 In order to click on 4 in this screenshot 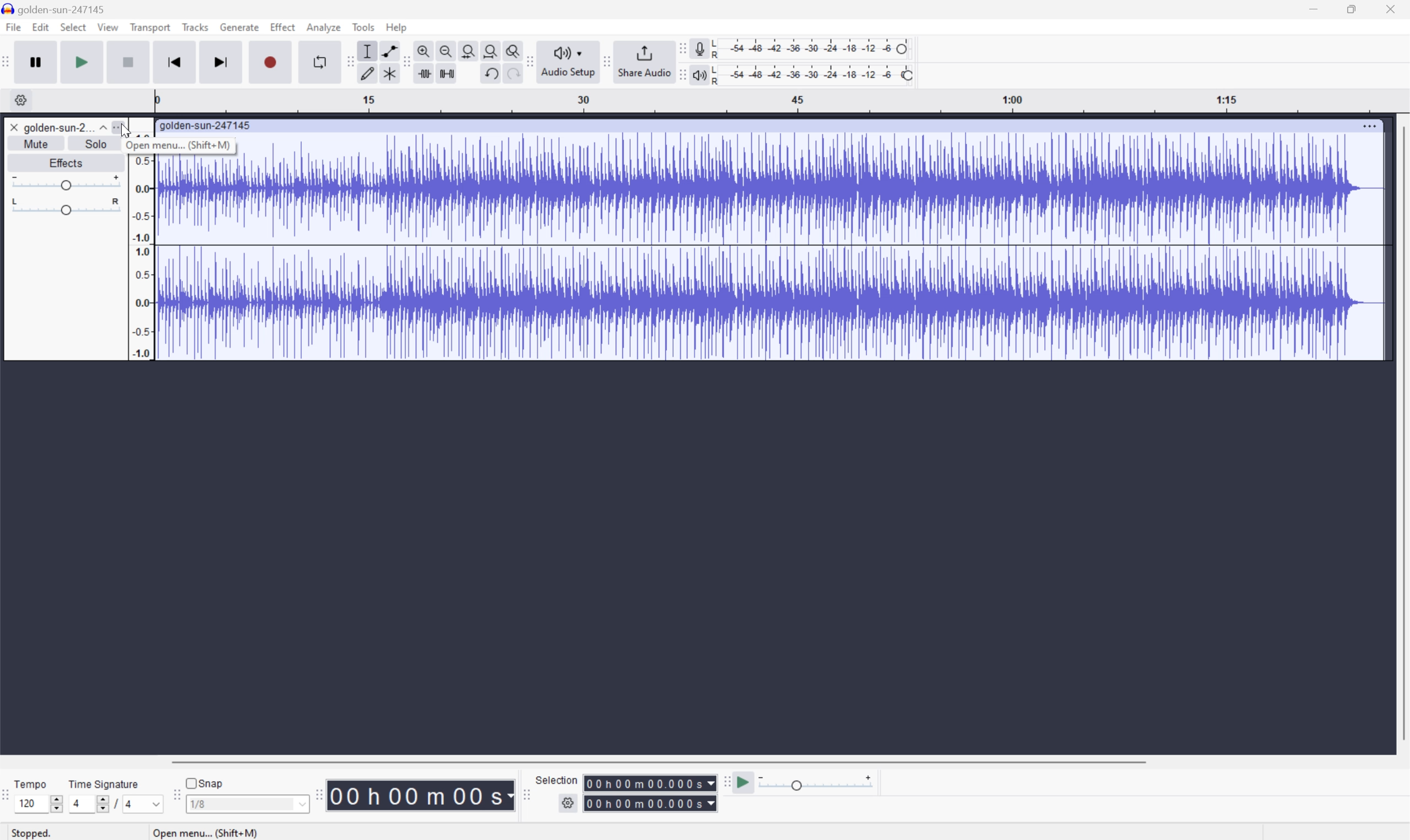, I will do `click(77, 802)`.